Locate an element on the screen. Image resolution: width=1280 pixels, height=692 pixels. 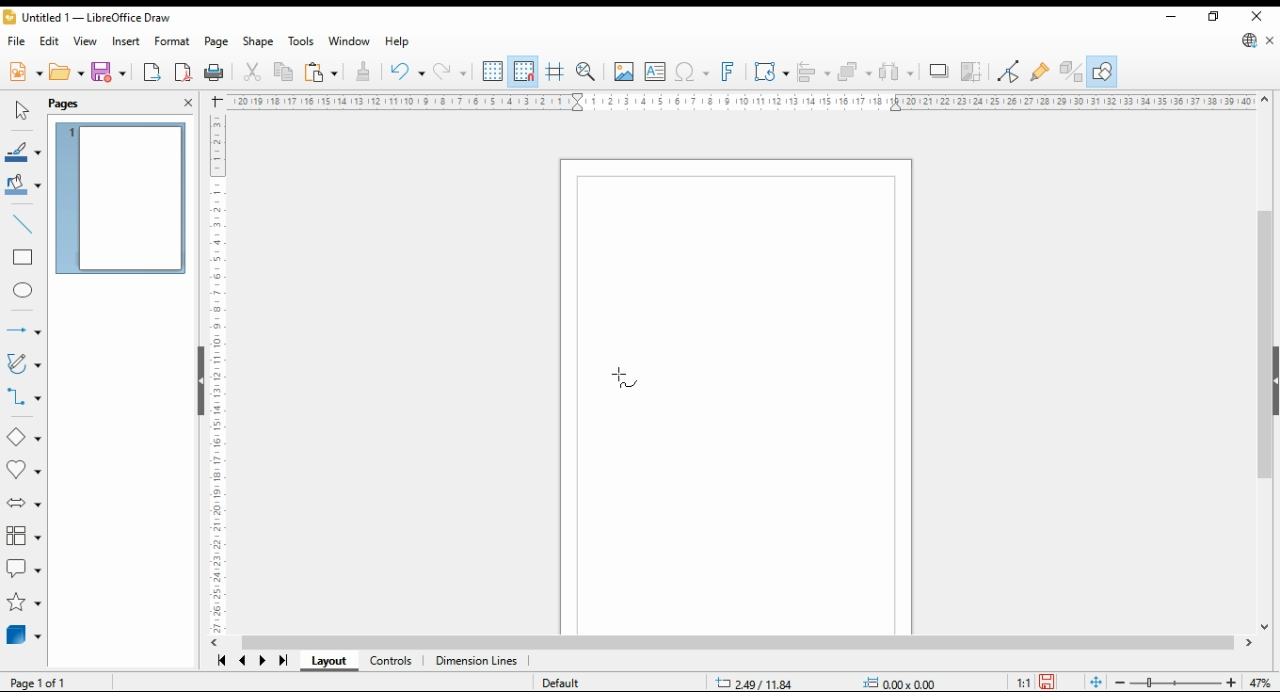
minimize is located at coordinates (1170, 14).